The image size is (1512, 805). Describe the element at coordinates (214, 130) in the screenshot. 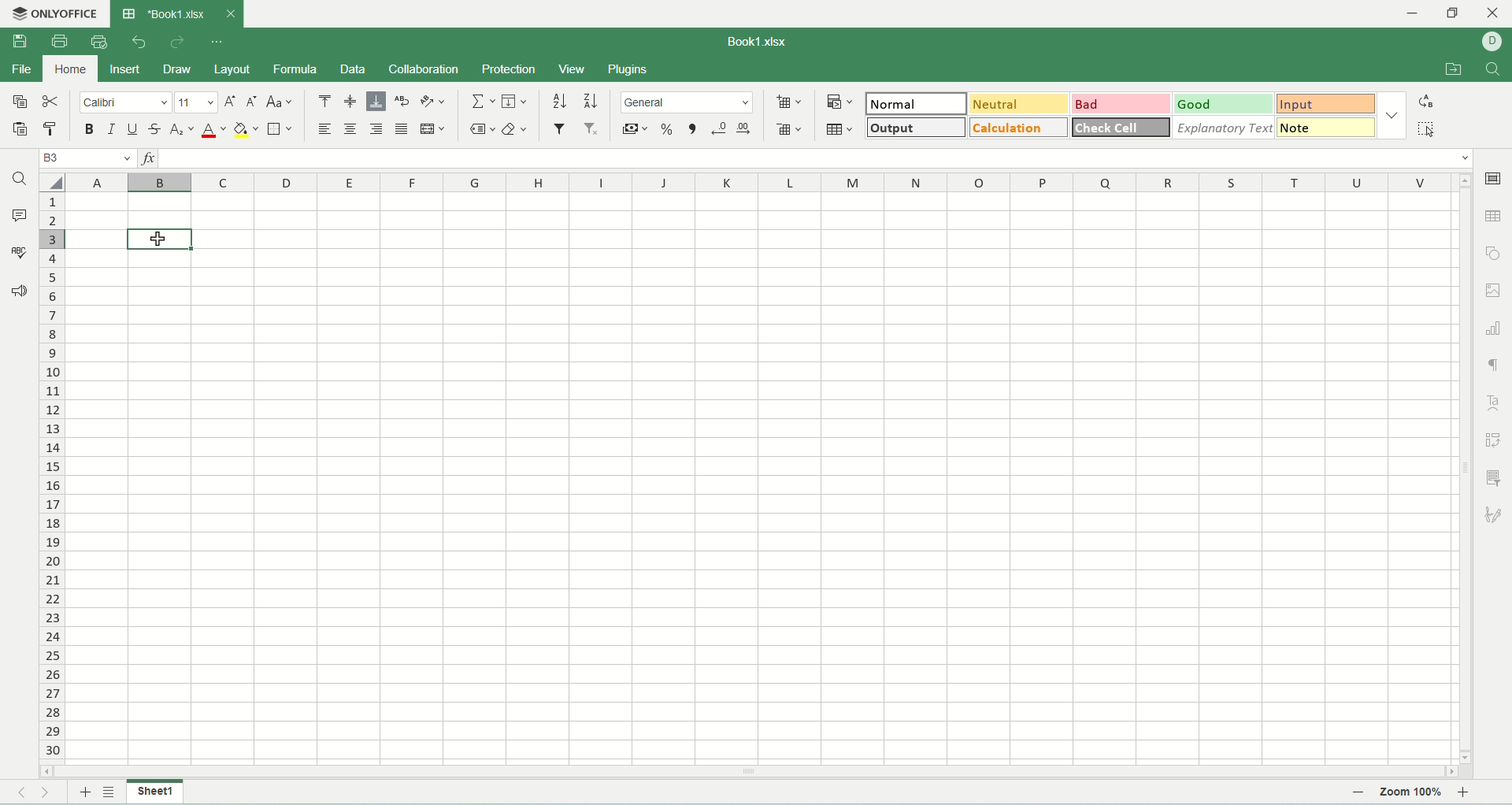

I see `font color` at that location.